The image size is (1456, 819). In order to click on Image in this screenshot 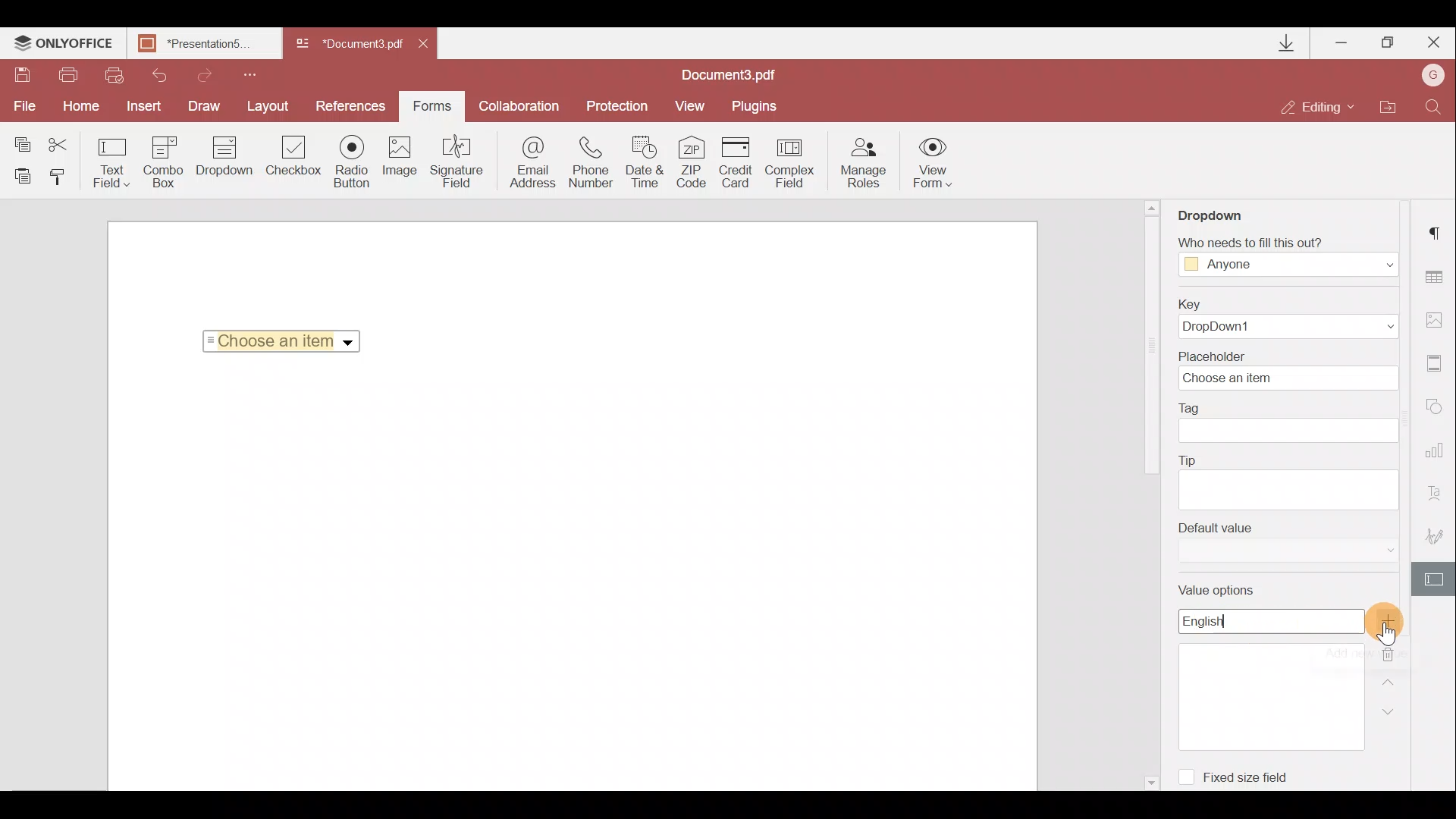, I will do `click(401, 163)`.